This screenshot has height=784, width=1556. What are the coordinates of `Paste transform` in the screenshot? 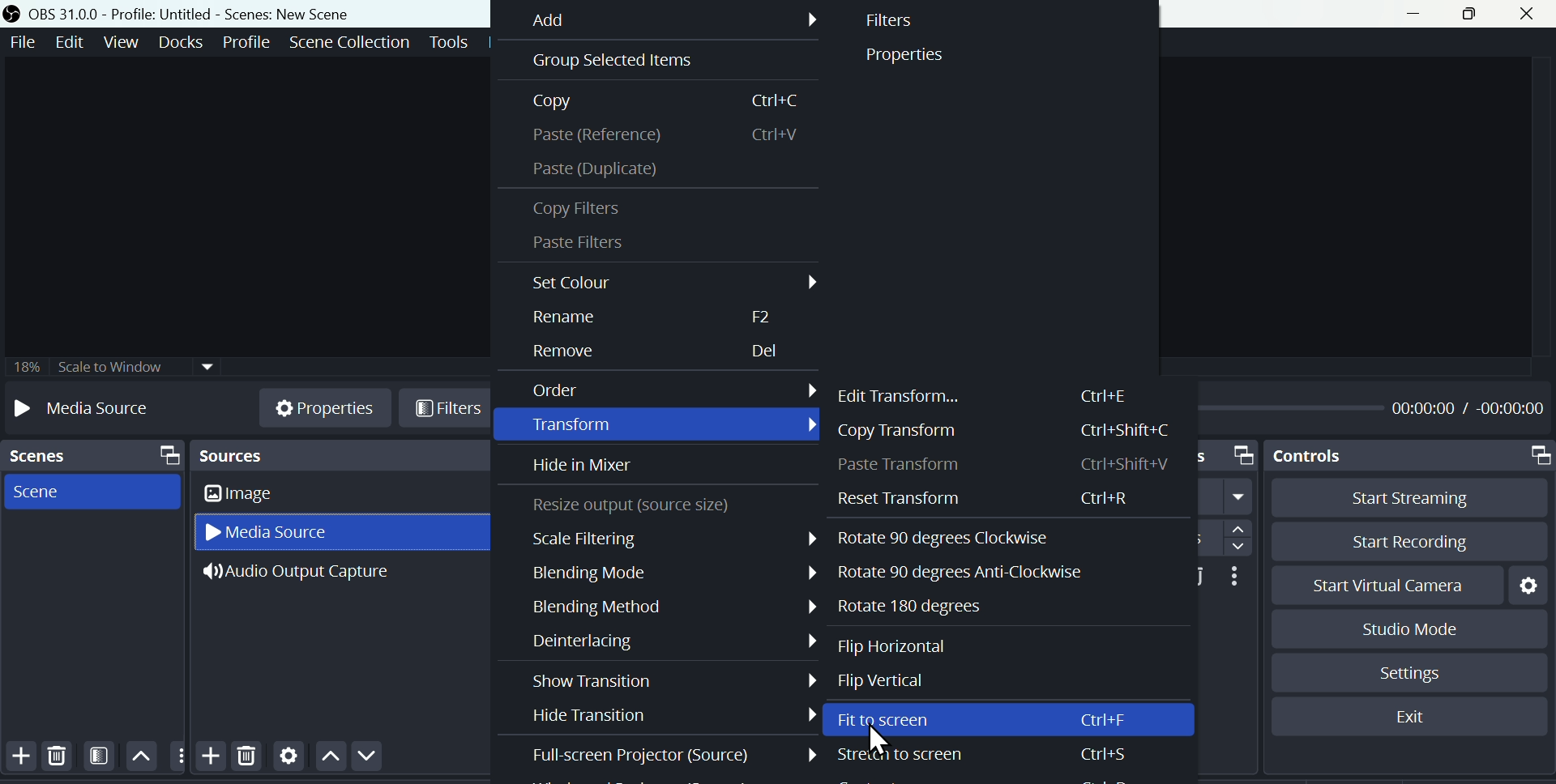 It's located at (997, 463).